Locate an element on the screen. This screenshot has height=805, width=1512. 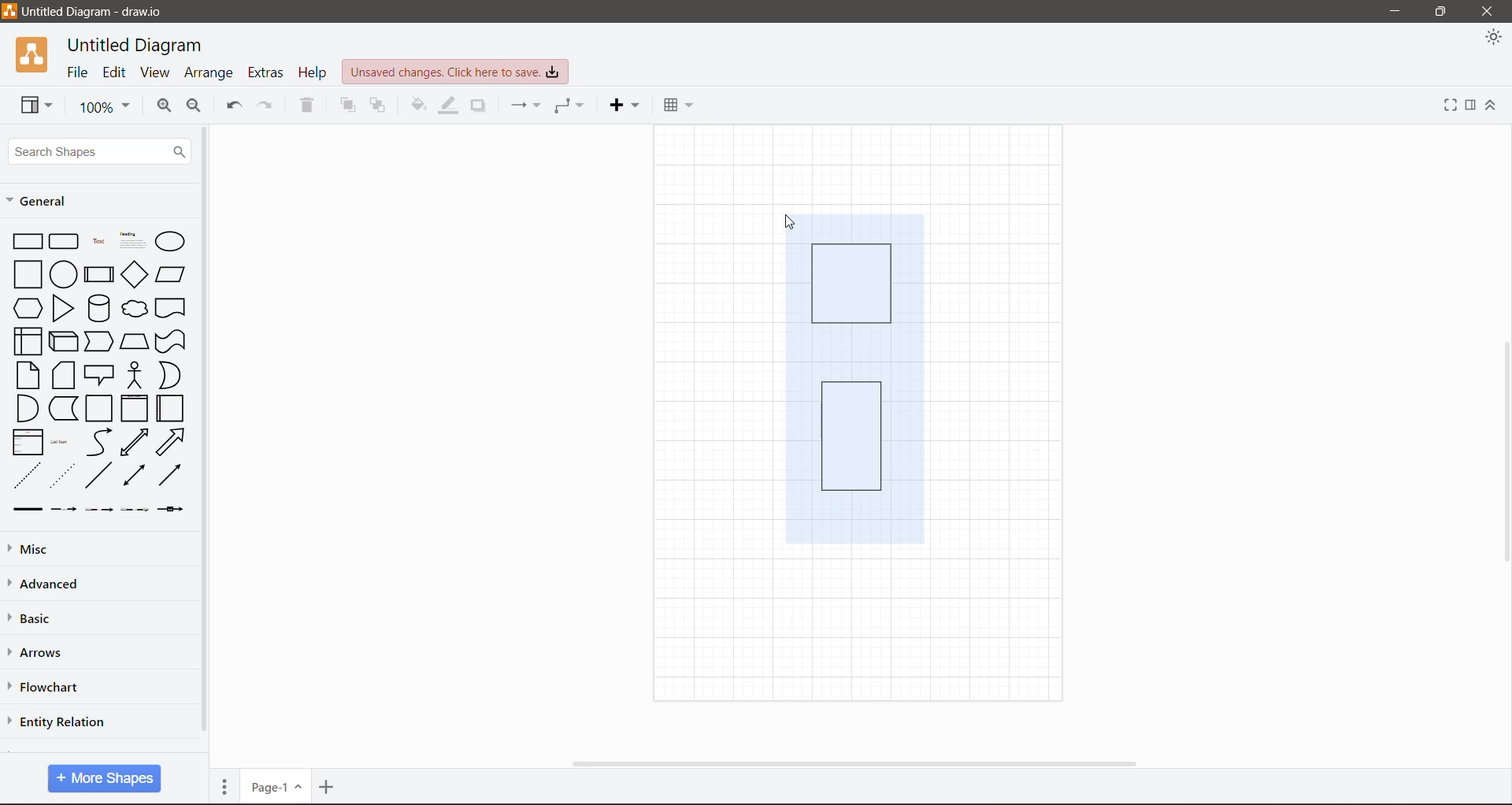
File is located at coordinates (78, 72).